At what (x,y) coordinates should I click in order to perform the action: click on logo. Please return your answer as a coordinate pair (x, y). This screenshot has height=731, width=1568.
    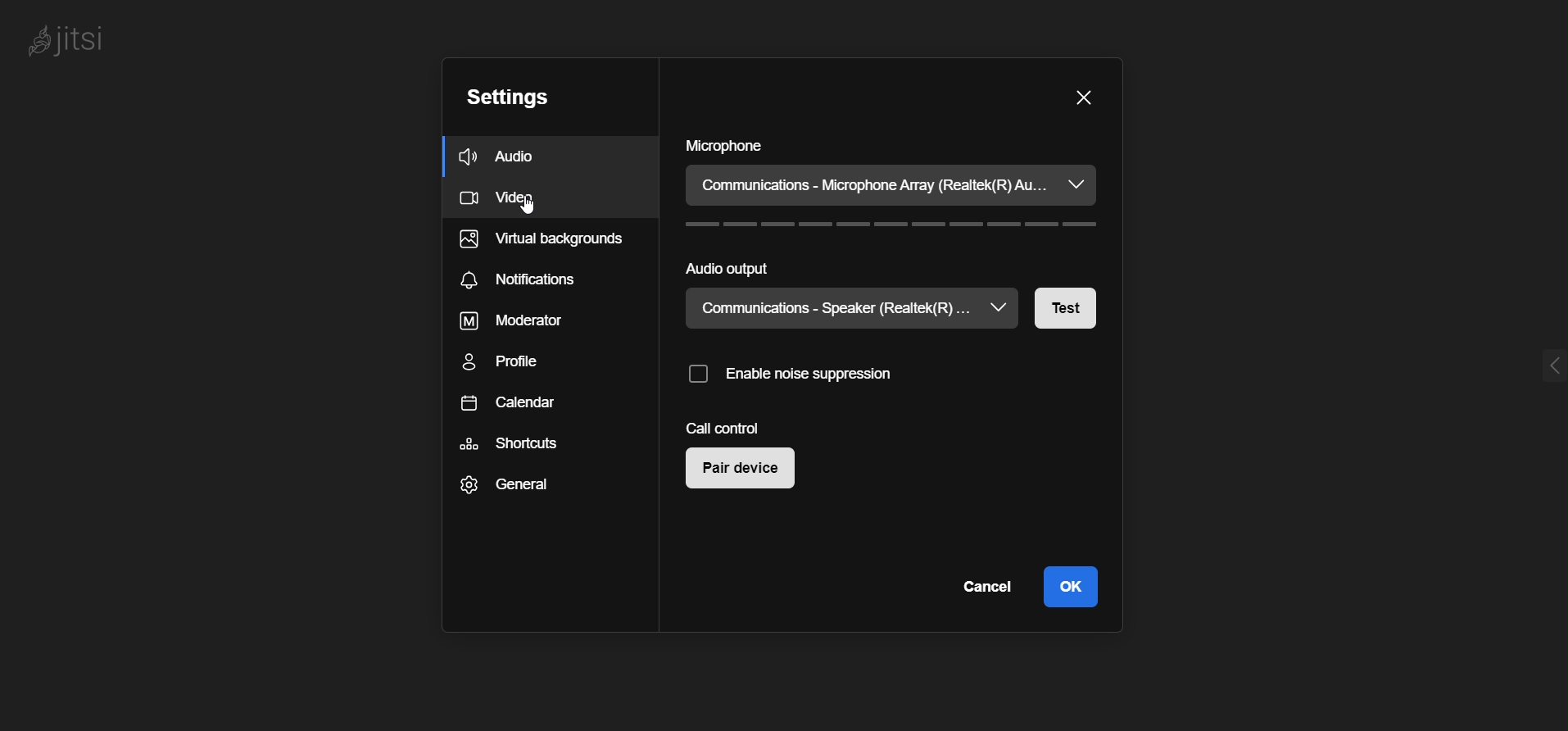
    Looking at the image, I should click on (71, 45).